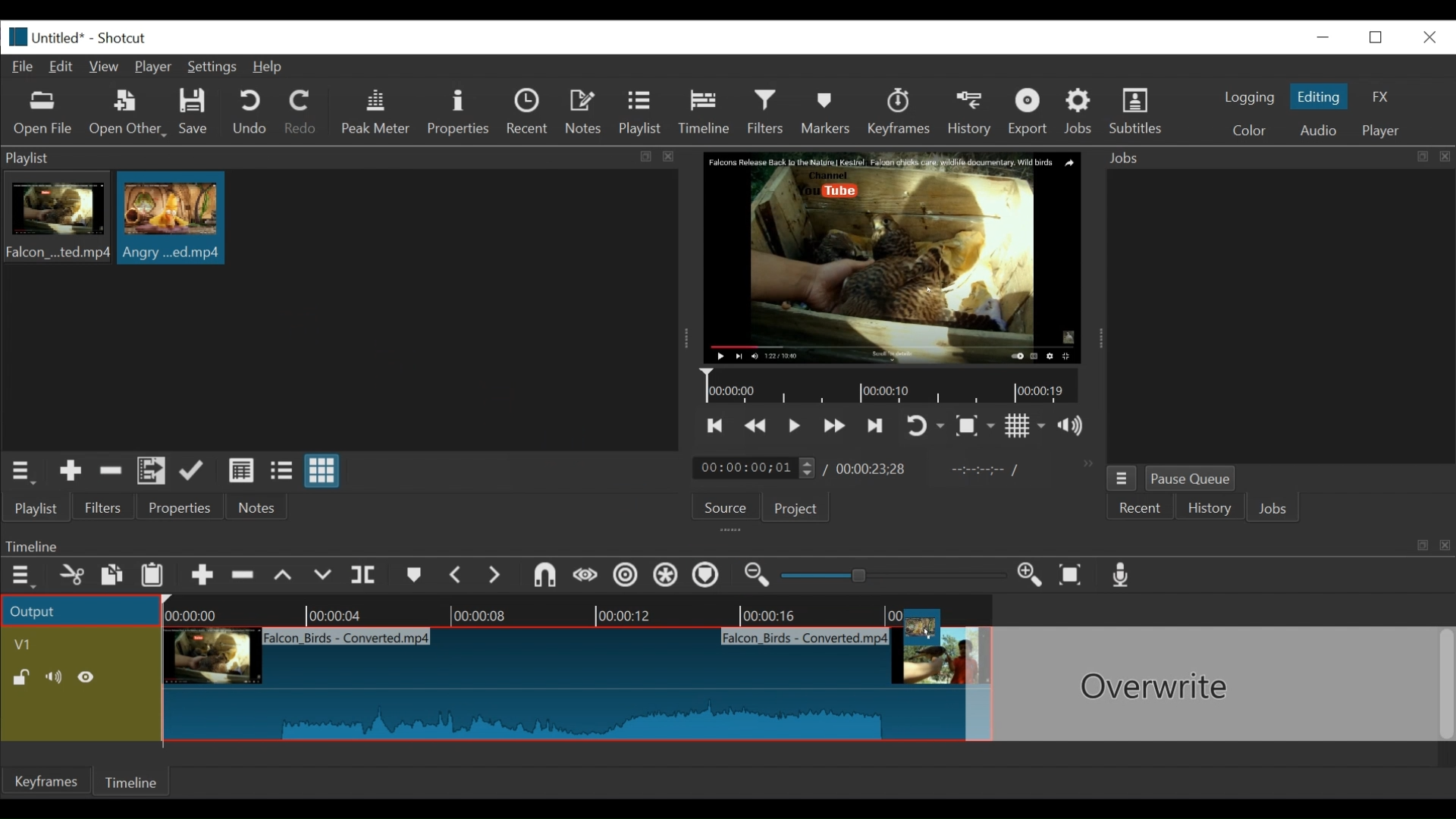  Describe the element at coordinates (105, 67) in the screenshot. I see `View` at that location.